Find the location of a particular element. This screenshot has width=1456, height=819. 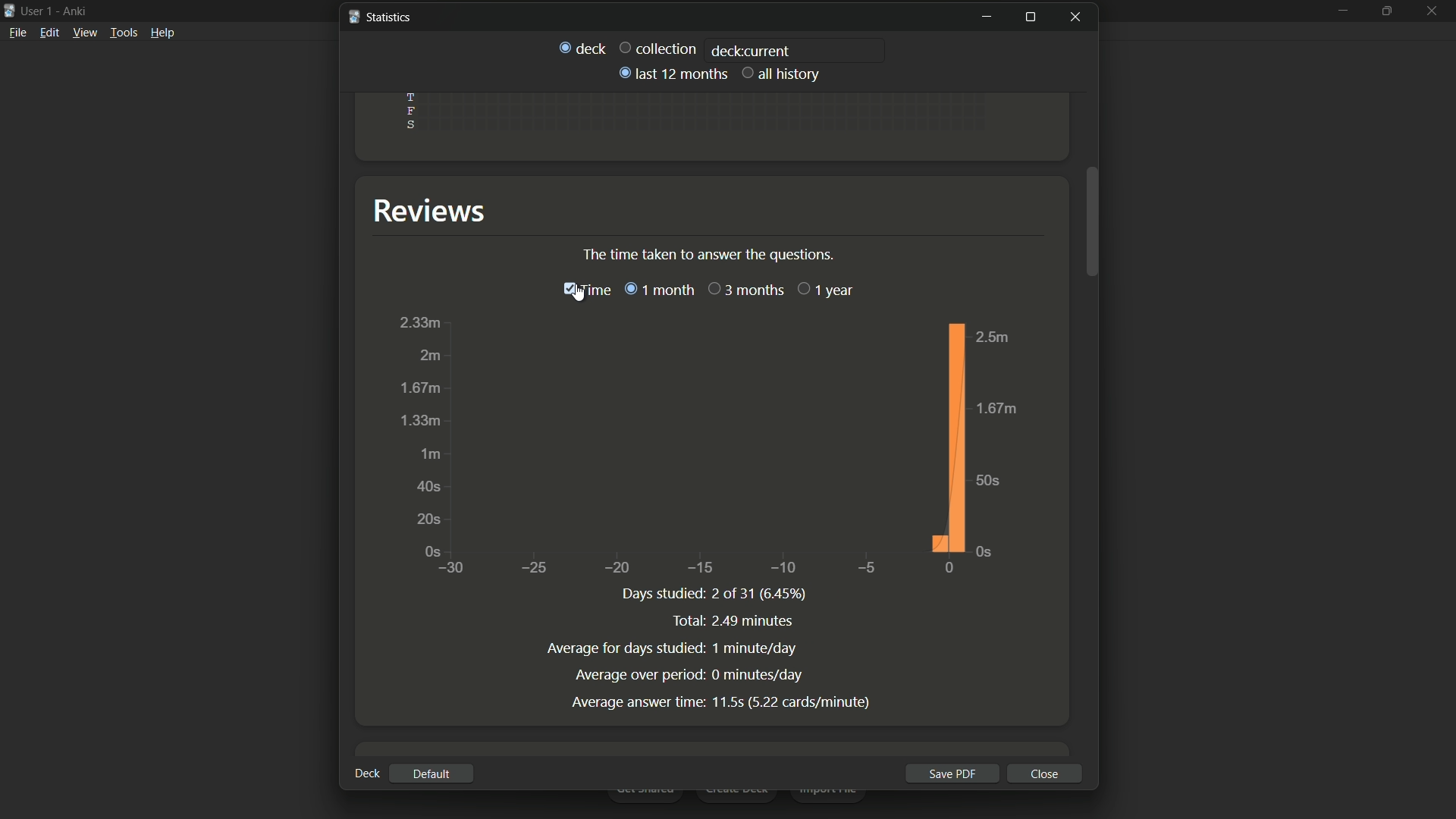

time is located at coordinates (585, 290).